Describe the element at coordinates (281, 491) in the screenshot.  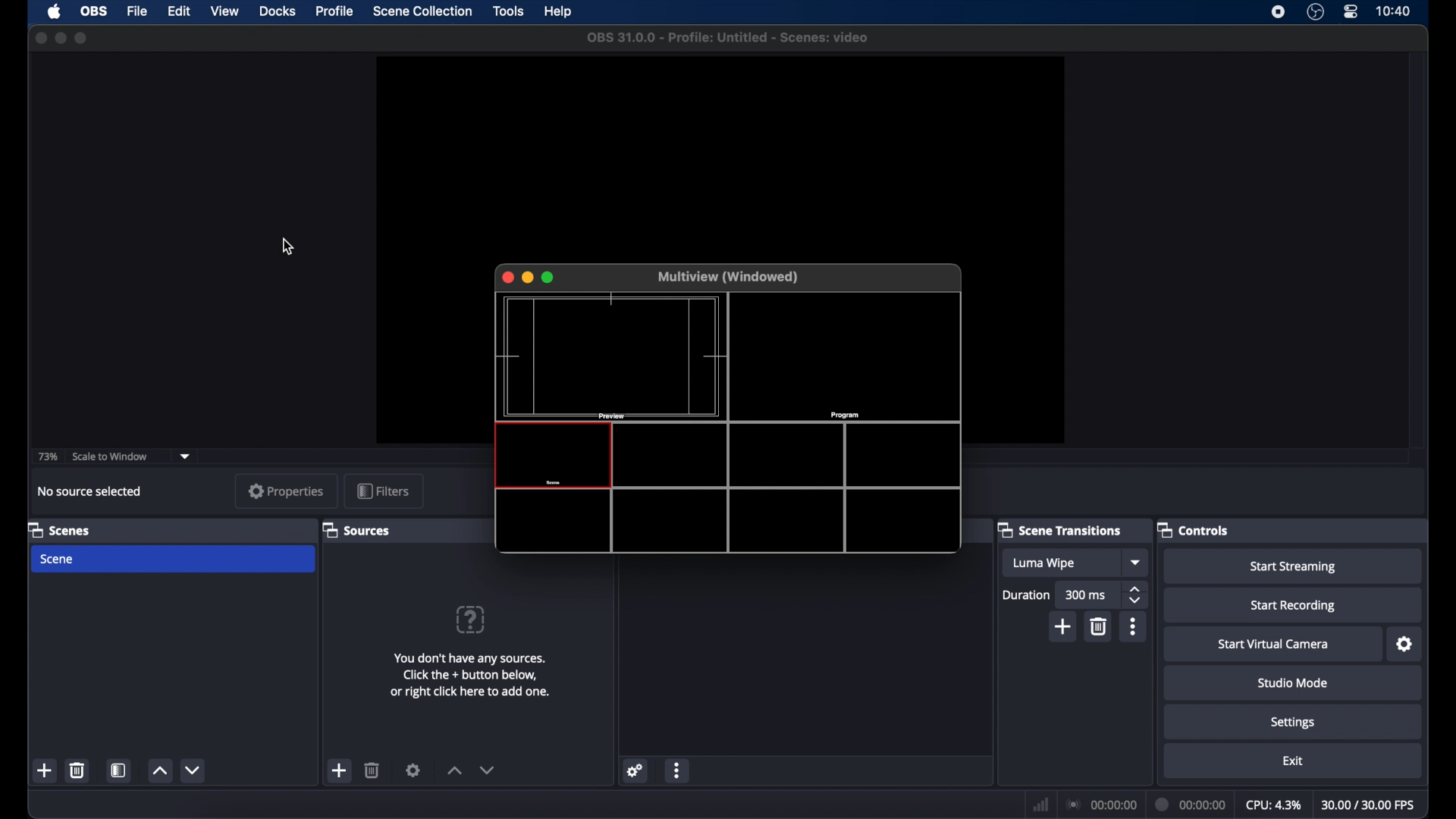
I see `properties` at that location.